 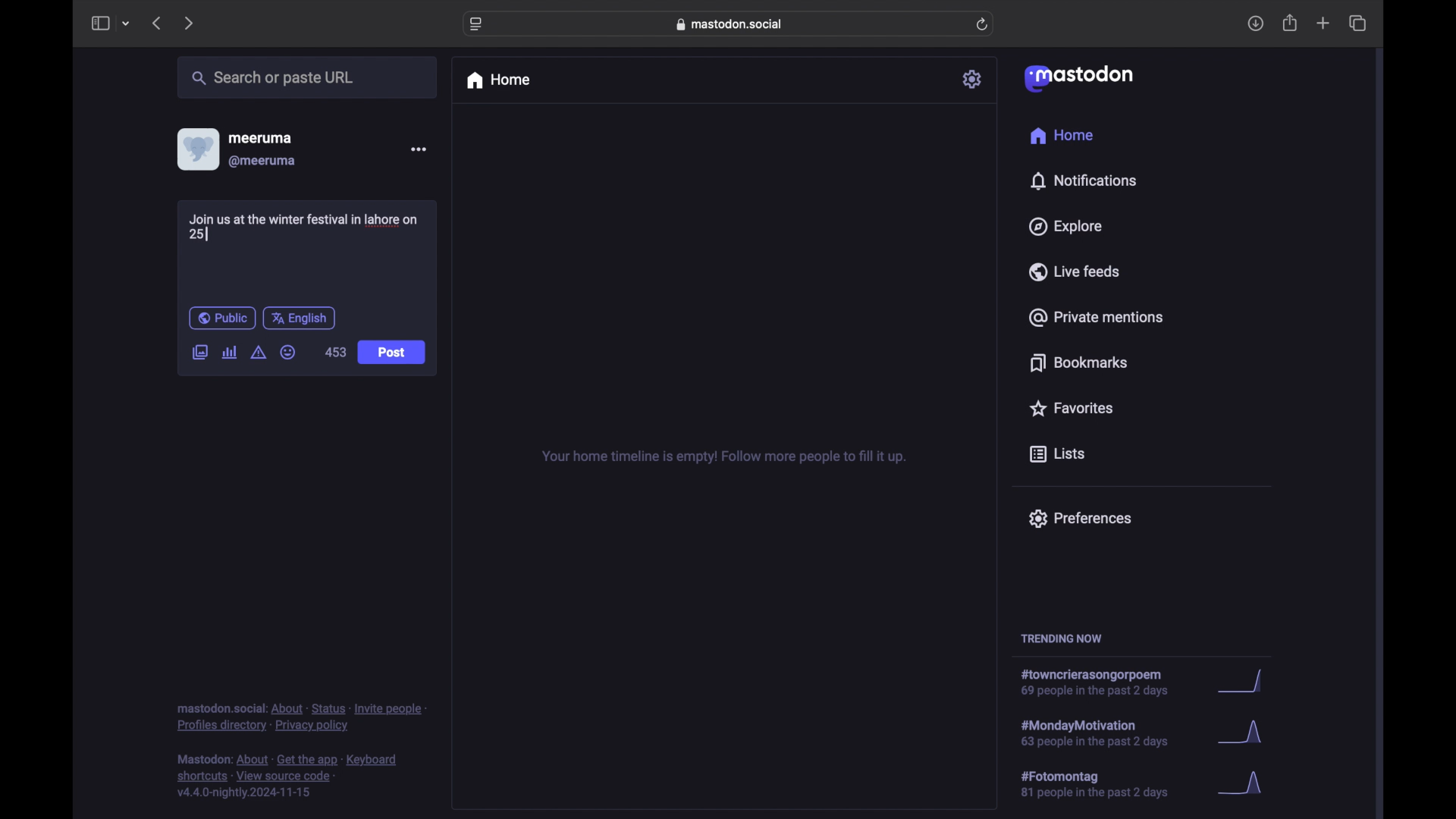 I want to click on settings, so click(x=974, y=79).